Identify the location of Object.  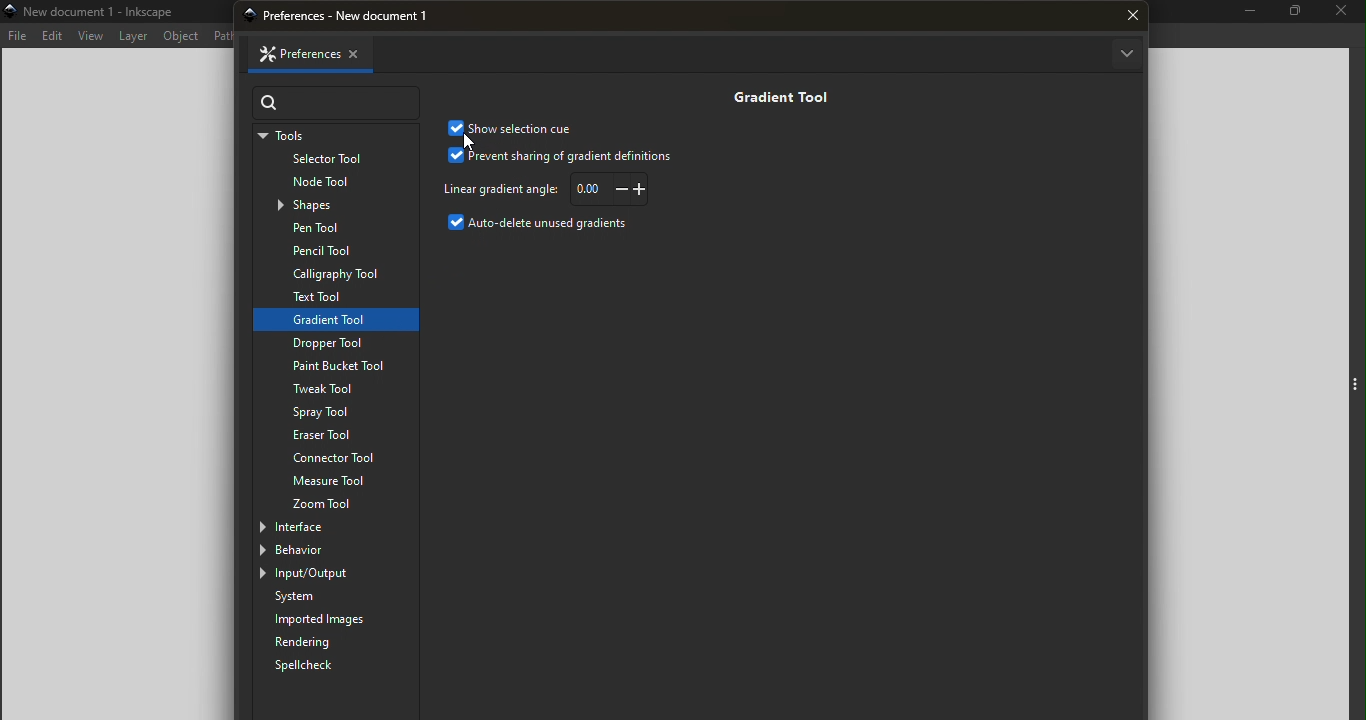
(183, 36).